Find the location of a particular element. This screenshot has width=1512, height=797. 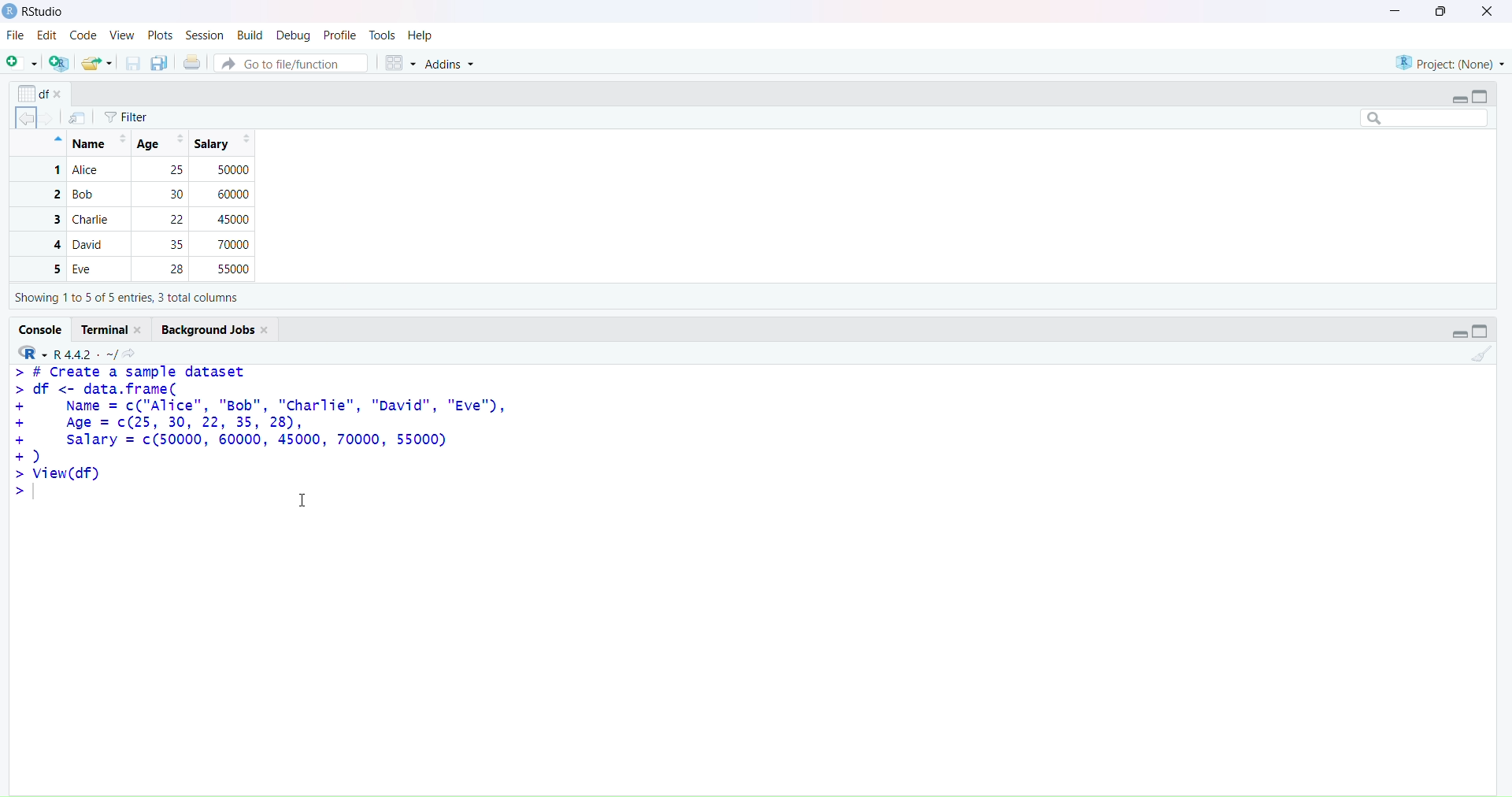

new script is located at coordinates (21, 63).